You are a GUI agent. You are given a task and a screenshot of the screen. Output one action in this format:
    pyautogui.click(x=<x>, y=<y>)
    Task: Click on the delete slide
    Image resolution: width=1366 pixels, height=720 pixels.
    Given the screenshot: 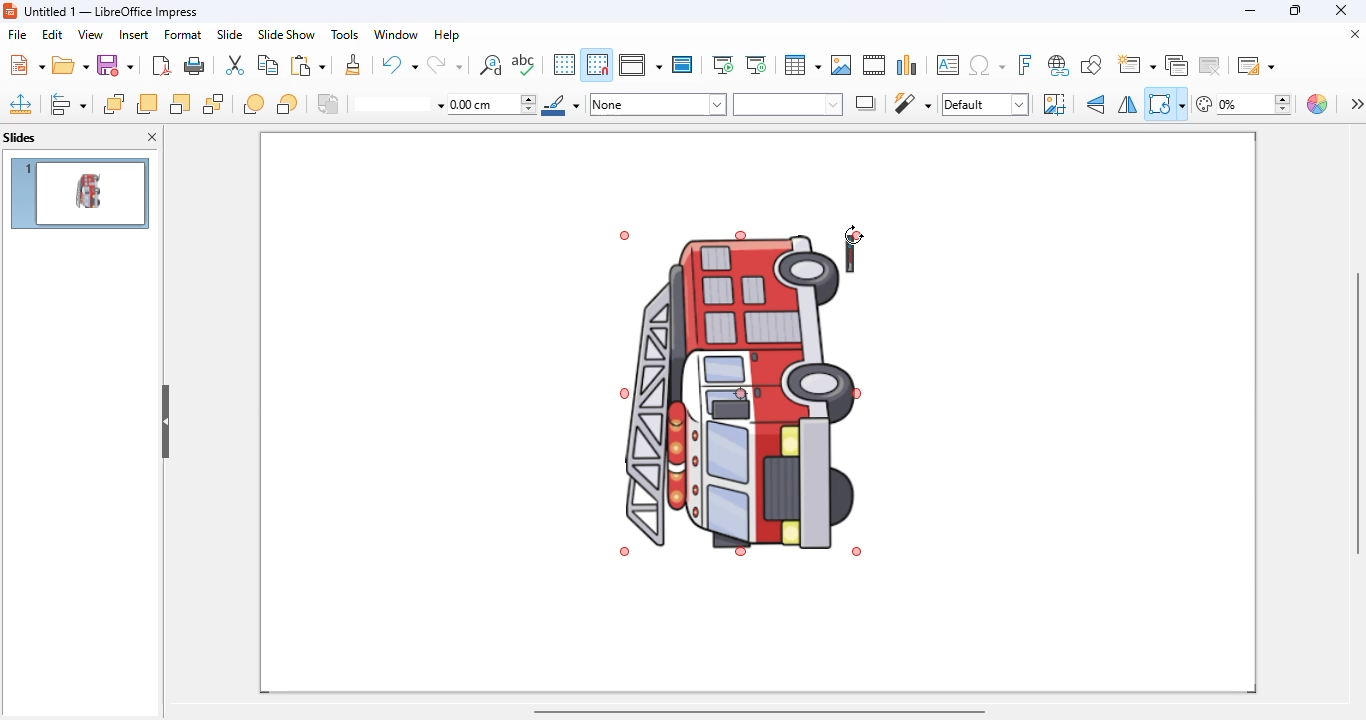 What is the action you would take?
    pyautogui.click(x=1210, y=64)
    